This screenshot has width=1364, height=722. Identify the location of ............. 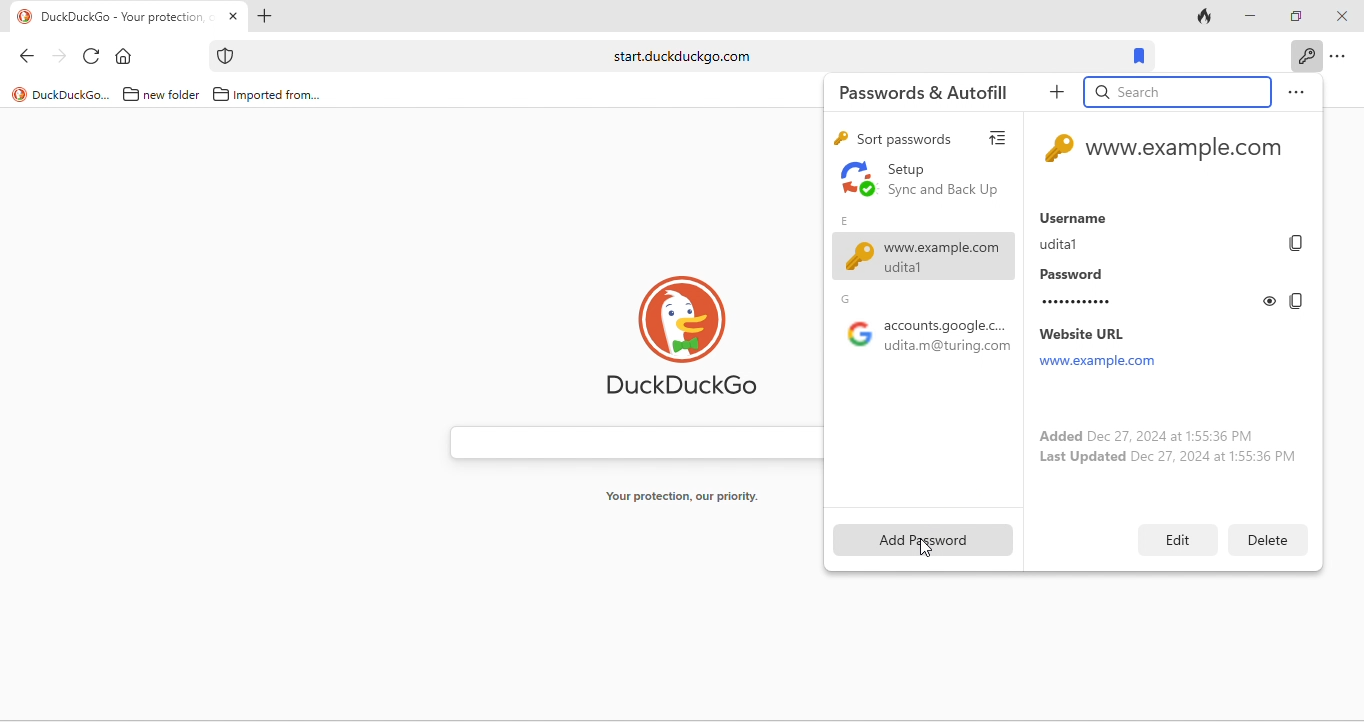
(1077, 302).